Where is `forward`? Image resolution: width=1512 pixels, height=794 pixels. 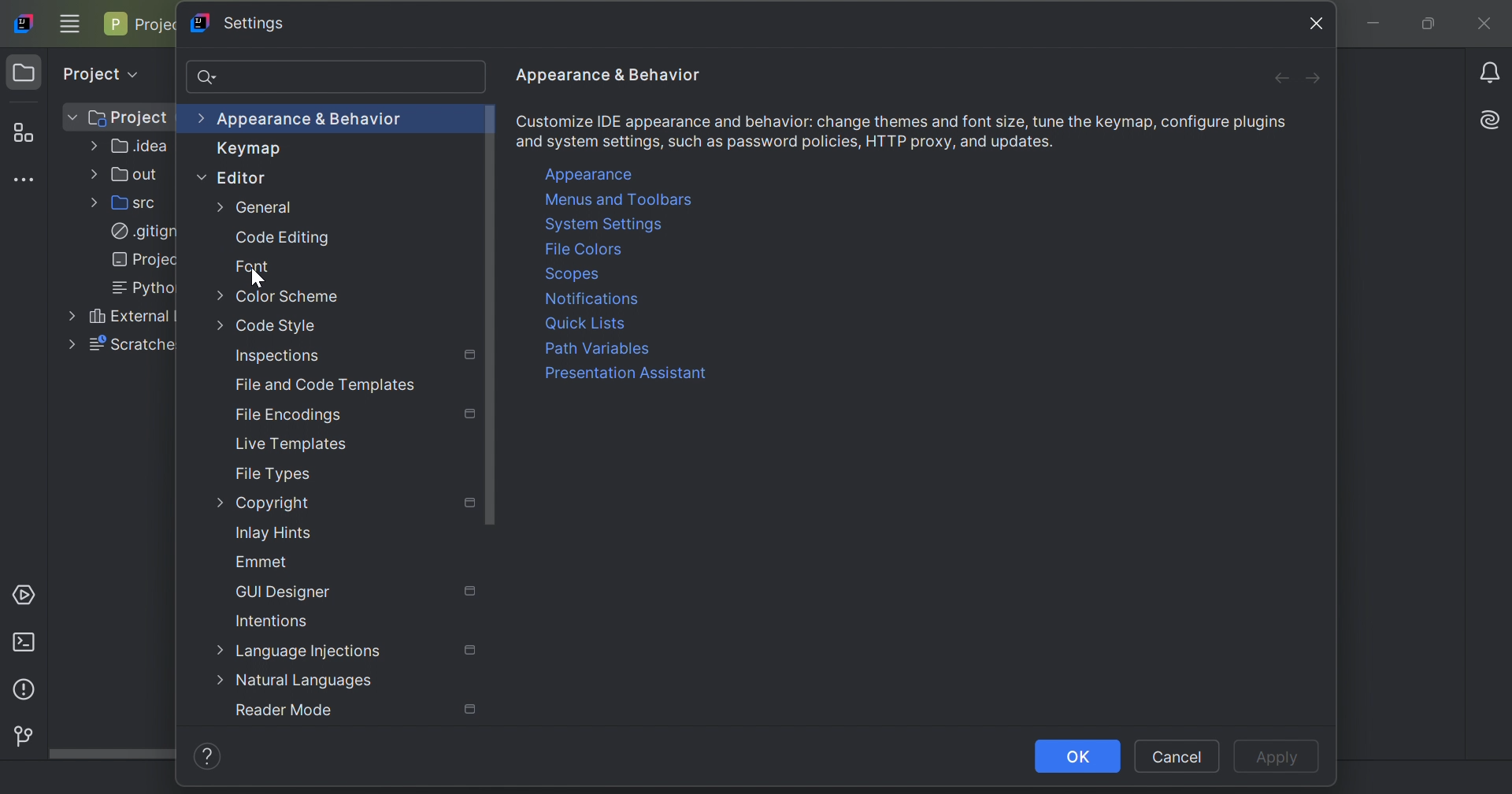 forward is located at coordinates (1314, 80).